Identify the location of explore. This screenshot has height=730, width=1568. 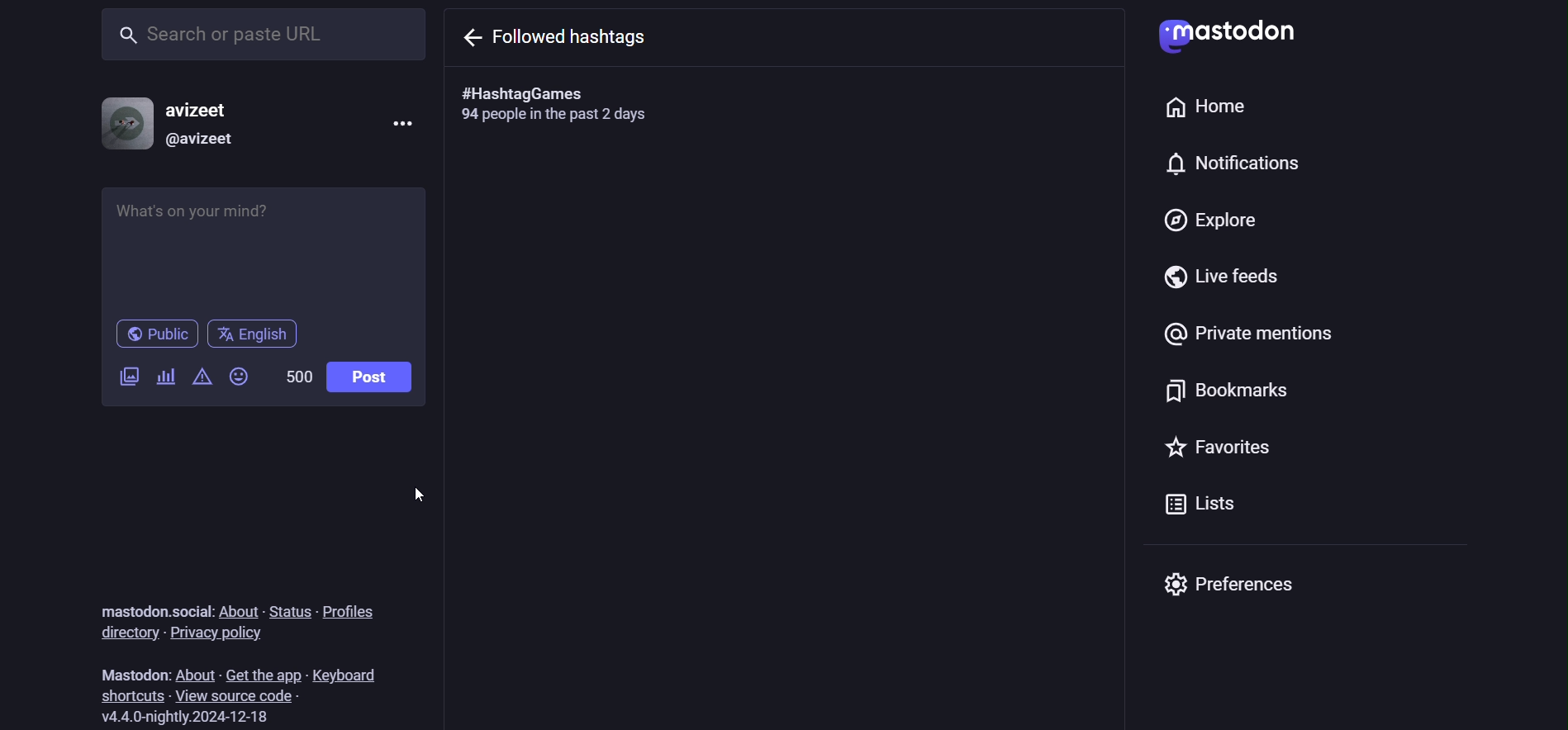
(1247, 221).